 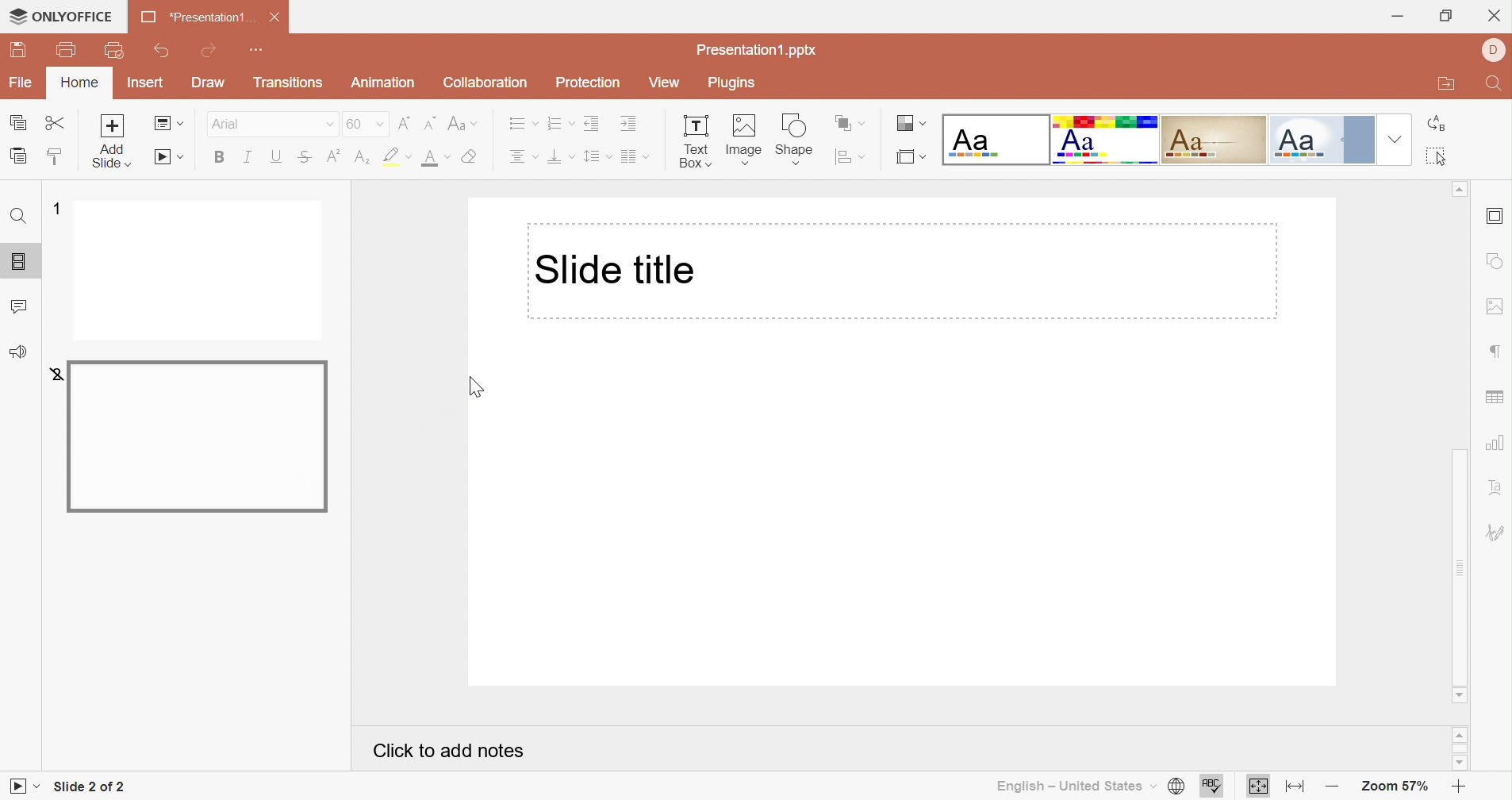 What do you see at coordinates (635, 157) in the screenshot?
I see `Insert columns` at bounding box center [635, 157].